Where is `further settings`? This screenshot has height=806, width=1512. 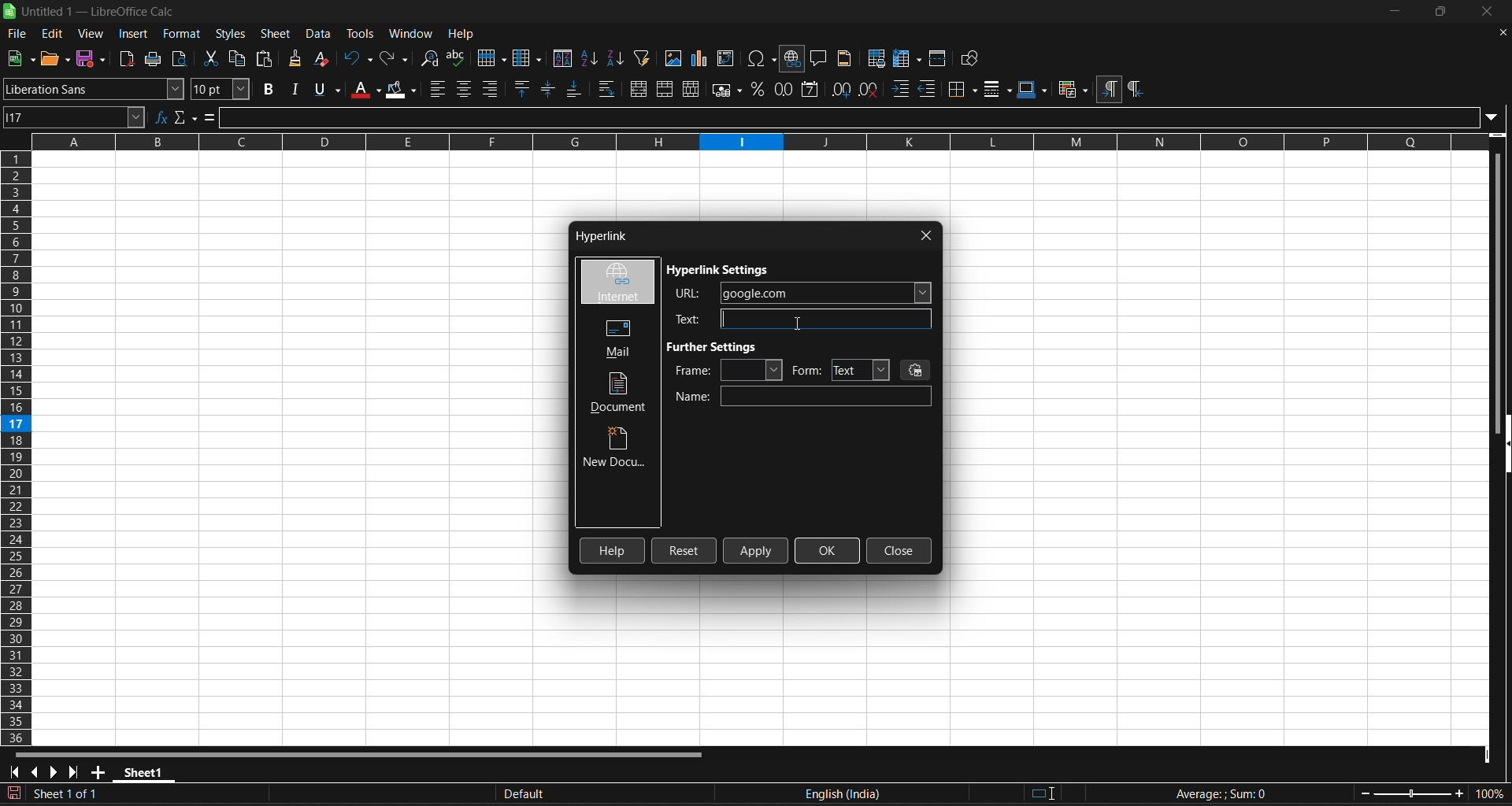
further settings is located at coordinates (717, 346).